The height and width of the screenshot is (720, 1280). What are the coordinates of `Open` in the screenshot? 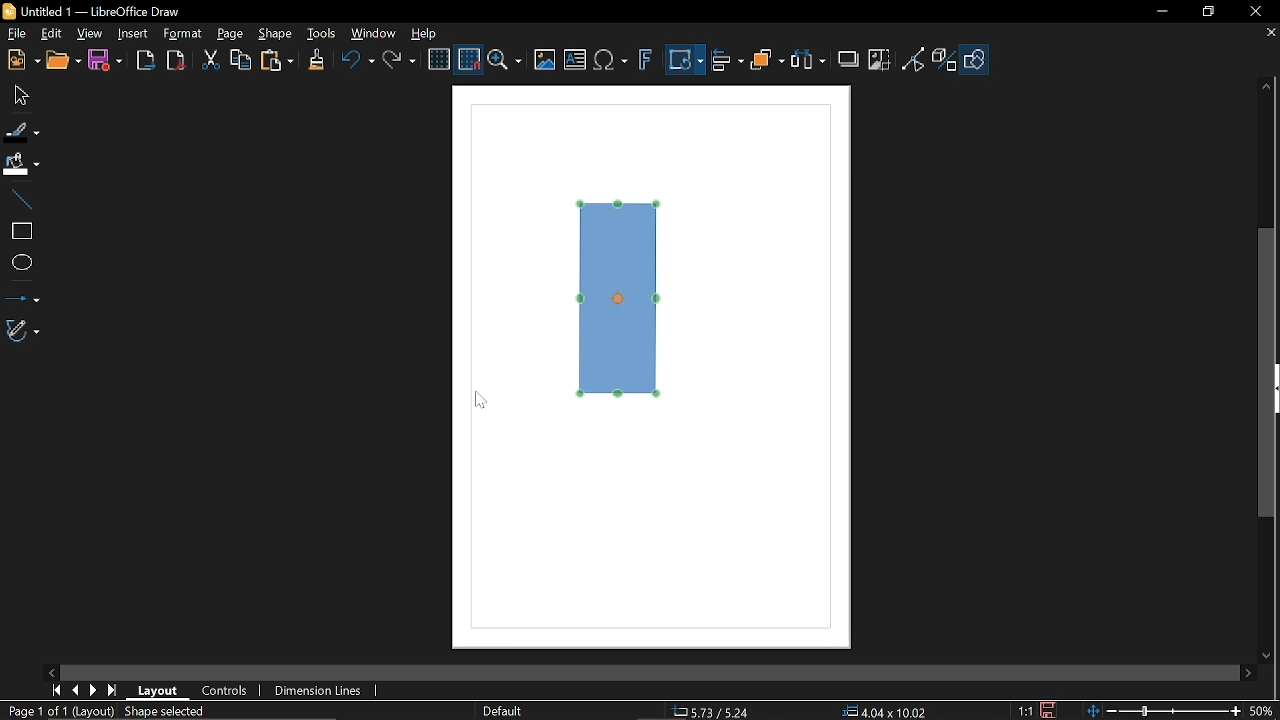 It's located at (65, 61).